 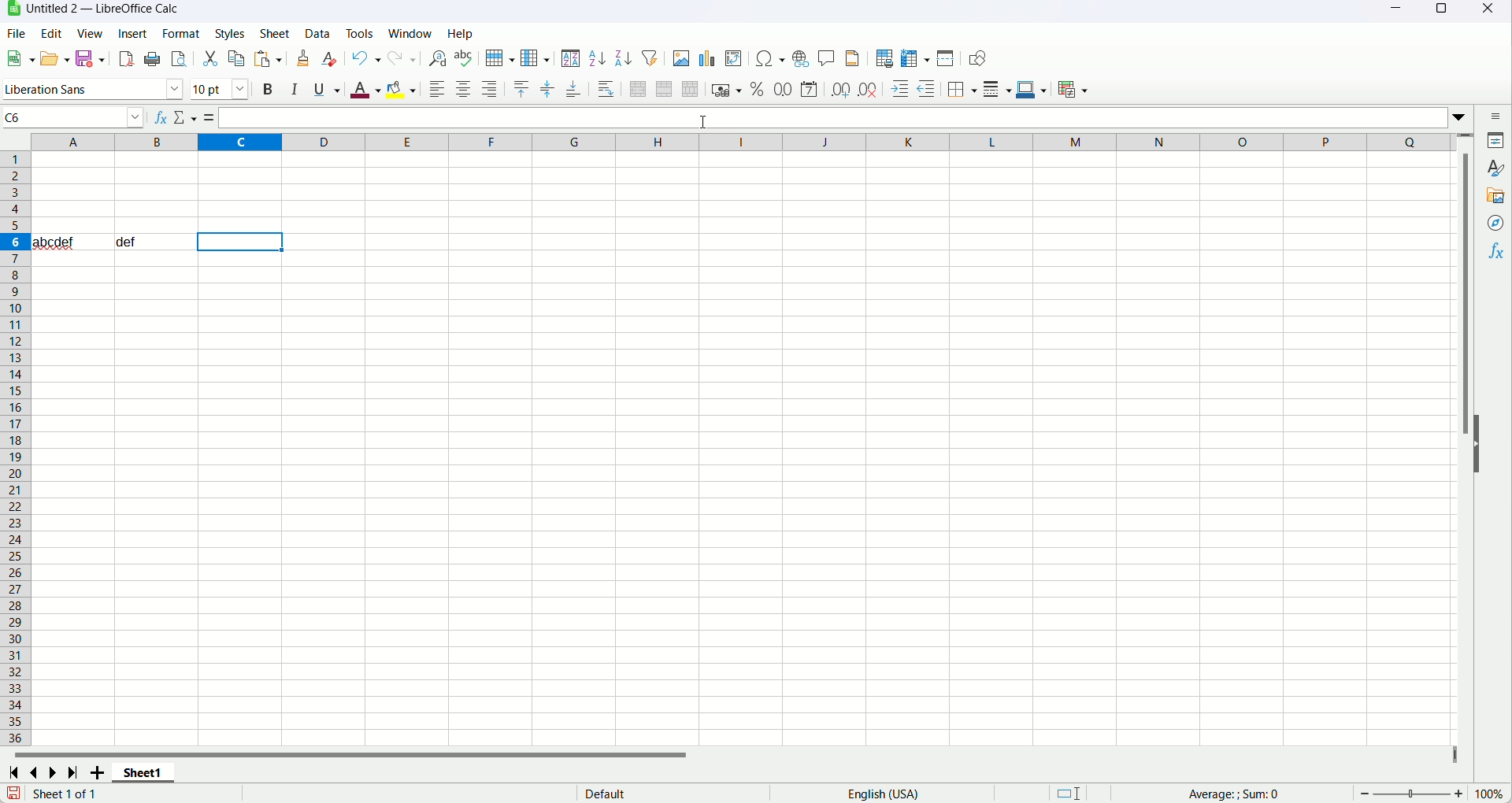 What do you see at coordinates (728, 88) in the screenshot?
I see `format as currency` at bounding box center [728, 88].